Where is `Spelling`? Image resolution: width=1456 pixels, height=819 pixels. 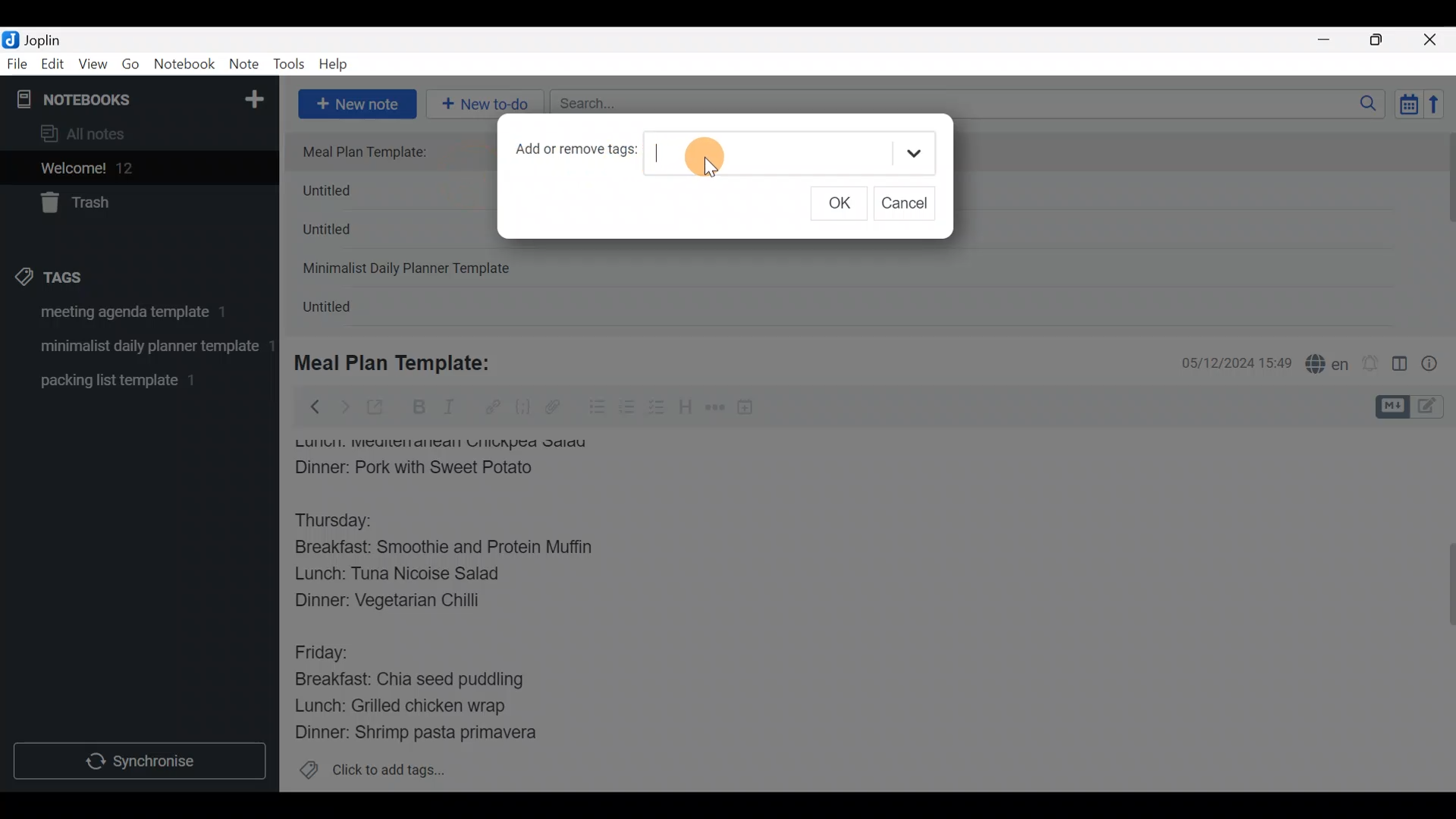
Spelling is located at coordinates (1328, 366).